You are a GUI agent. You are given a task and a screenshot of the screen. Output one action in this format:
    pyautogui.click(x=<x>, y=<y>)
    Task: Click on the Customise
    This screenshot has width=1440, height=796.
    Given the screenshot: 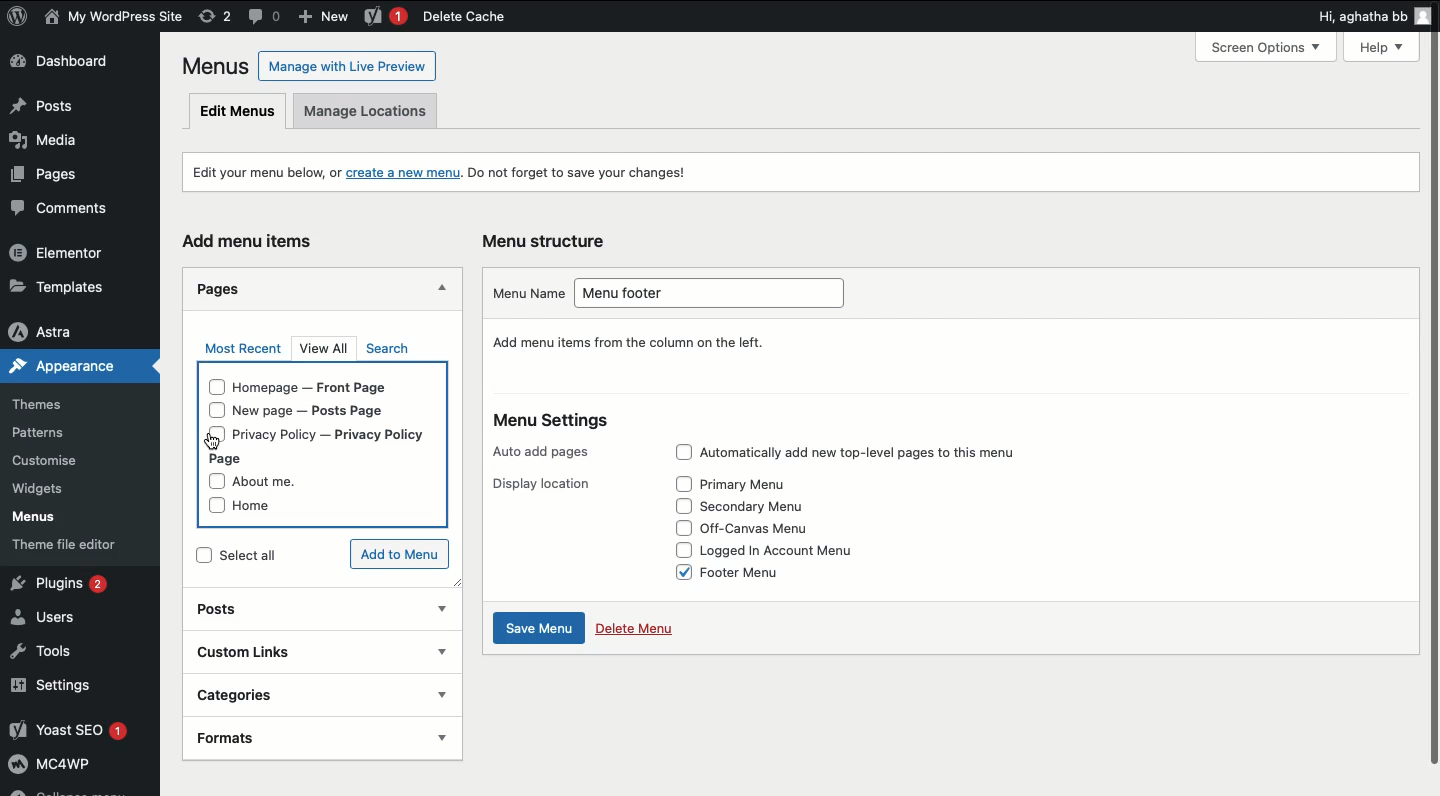 What is the action you would take?
    pyautogui.click(x=43, y=462)
    